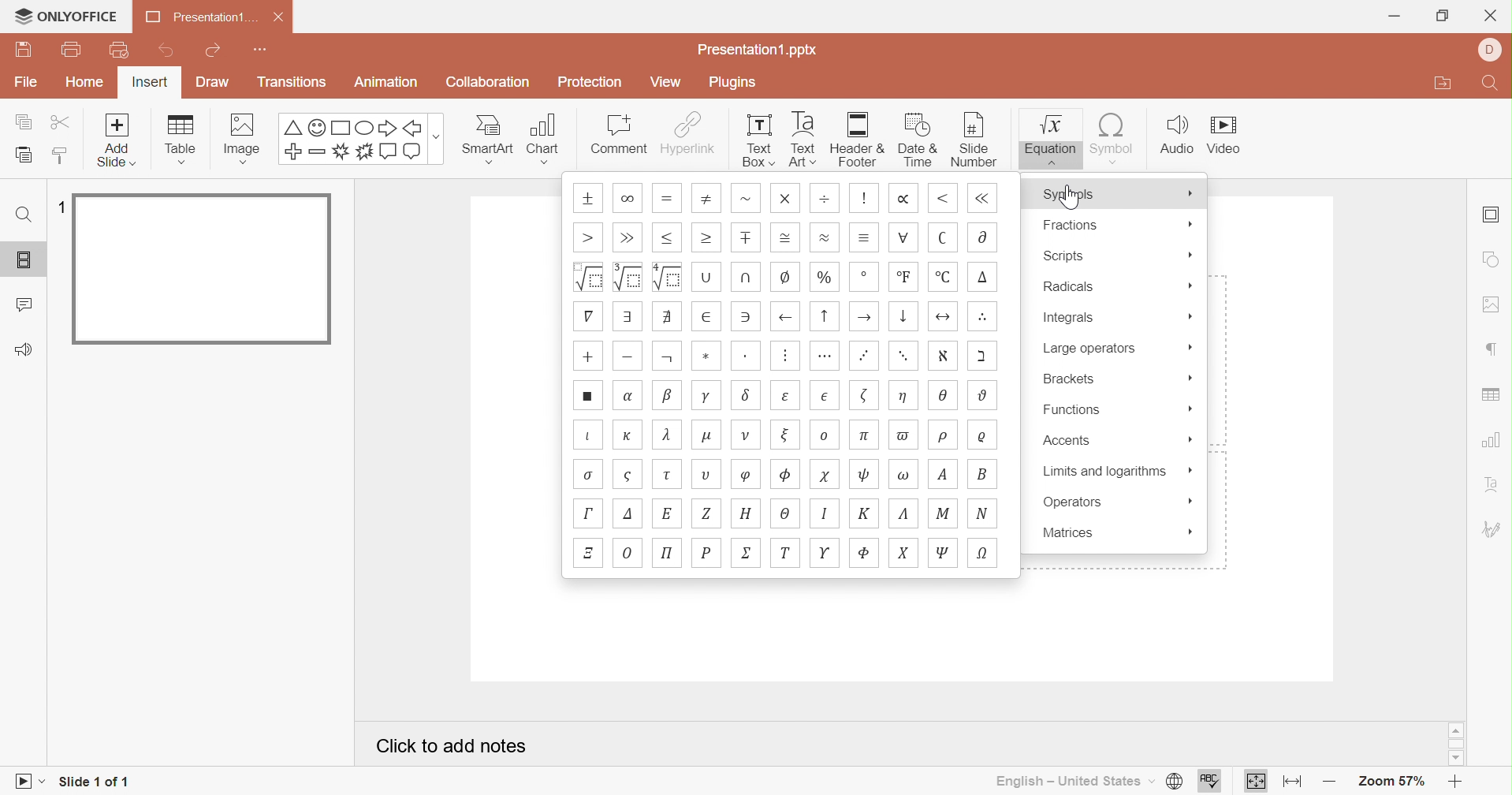 Image resolution: width=1512 pixels, height=795 pixels. Describe the element at coordinates (1456, 746) in the screenshot. I see `Scroll Bar` at that location.